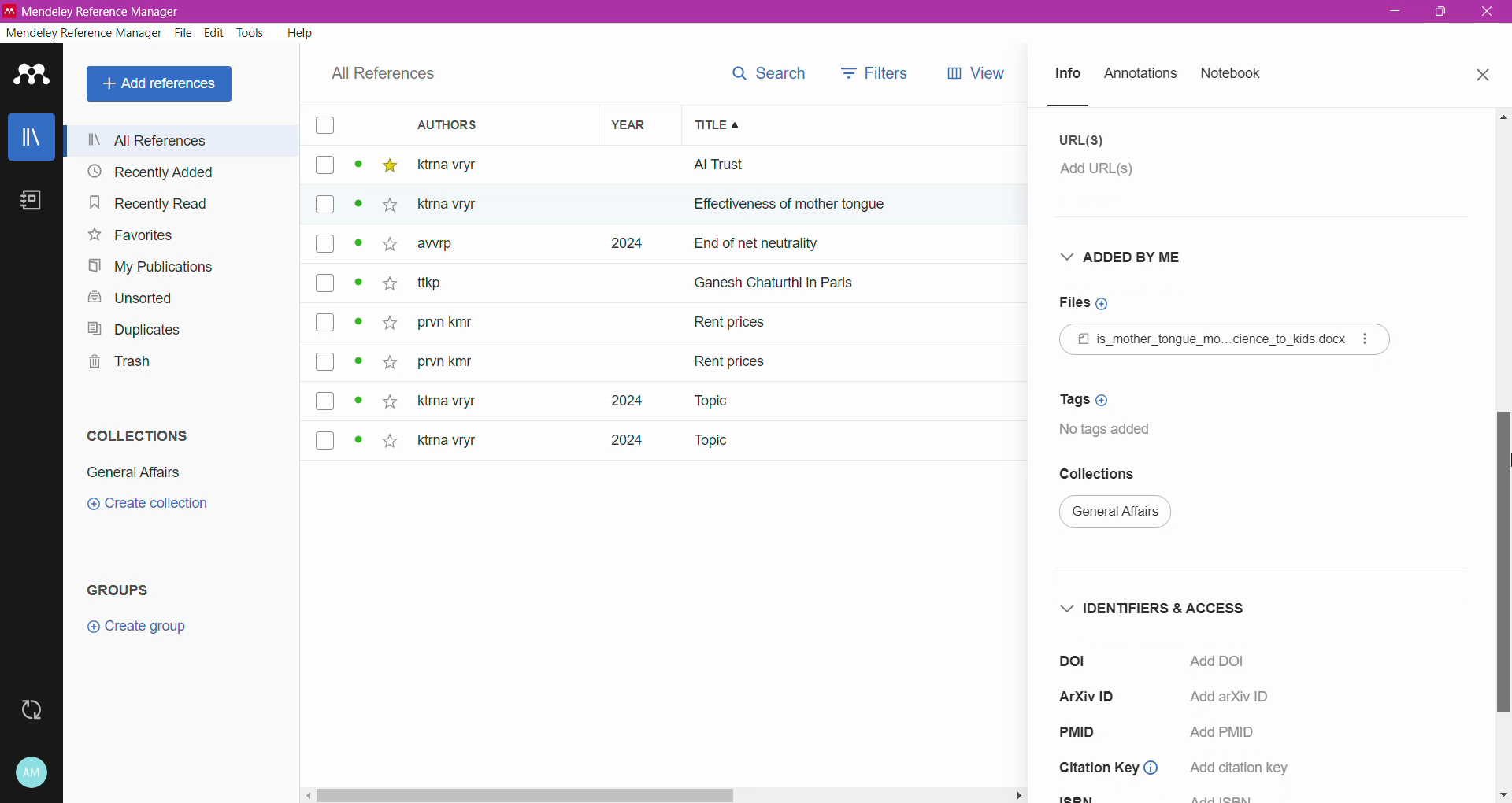 This screenshot has width=1512, height=803. Describe the element at coordinates (445, 364) in the screenshot. I see `prvn kity` at that location.